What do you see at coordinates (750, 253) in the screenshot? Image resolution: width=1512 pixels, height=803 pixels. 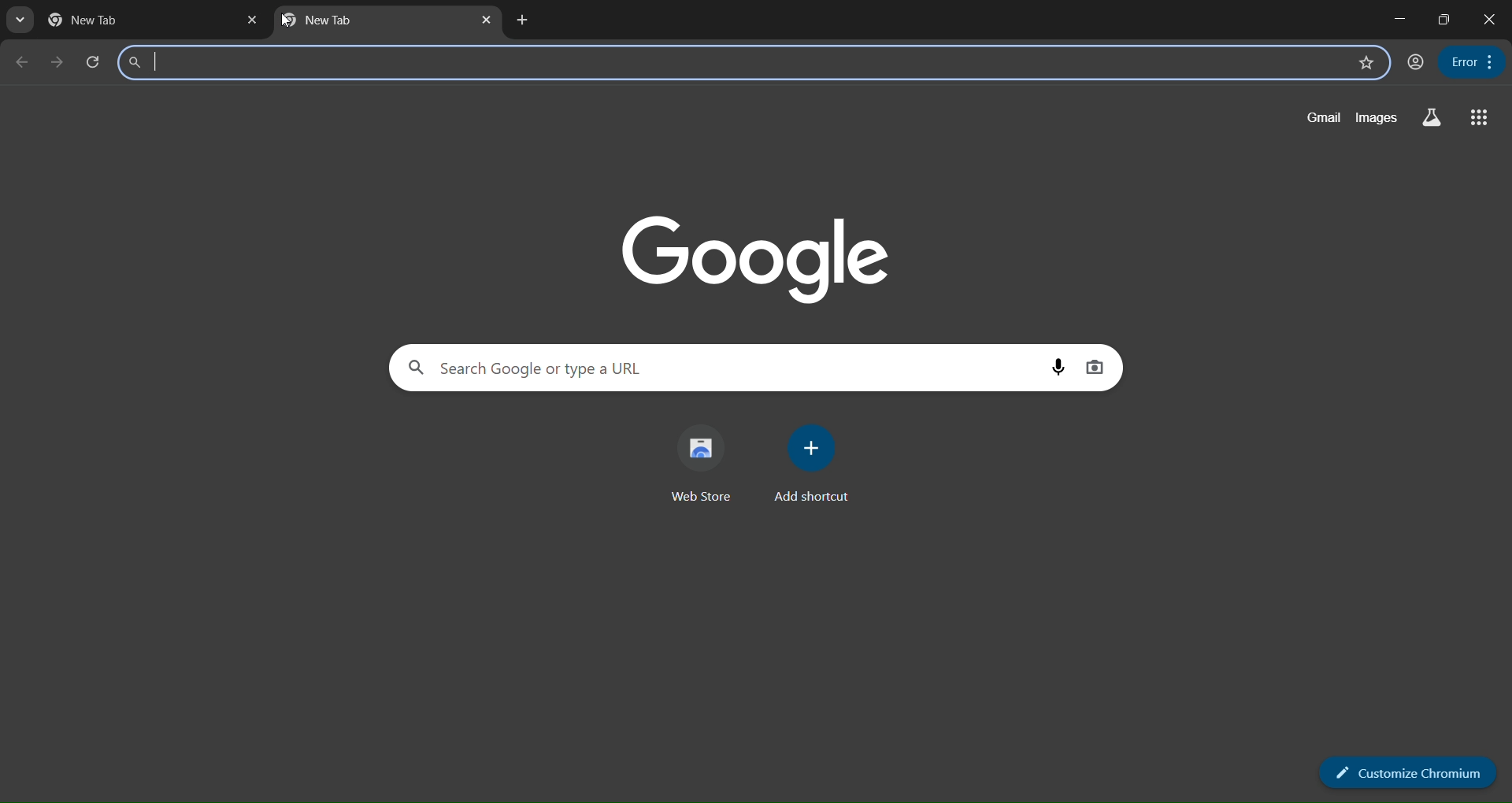 I see `google` at bounding box center [750, 253].